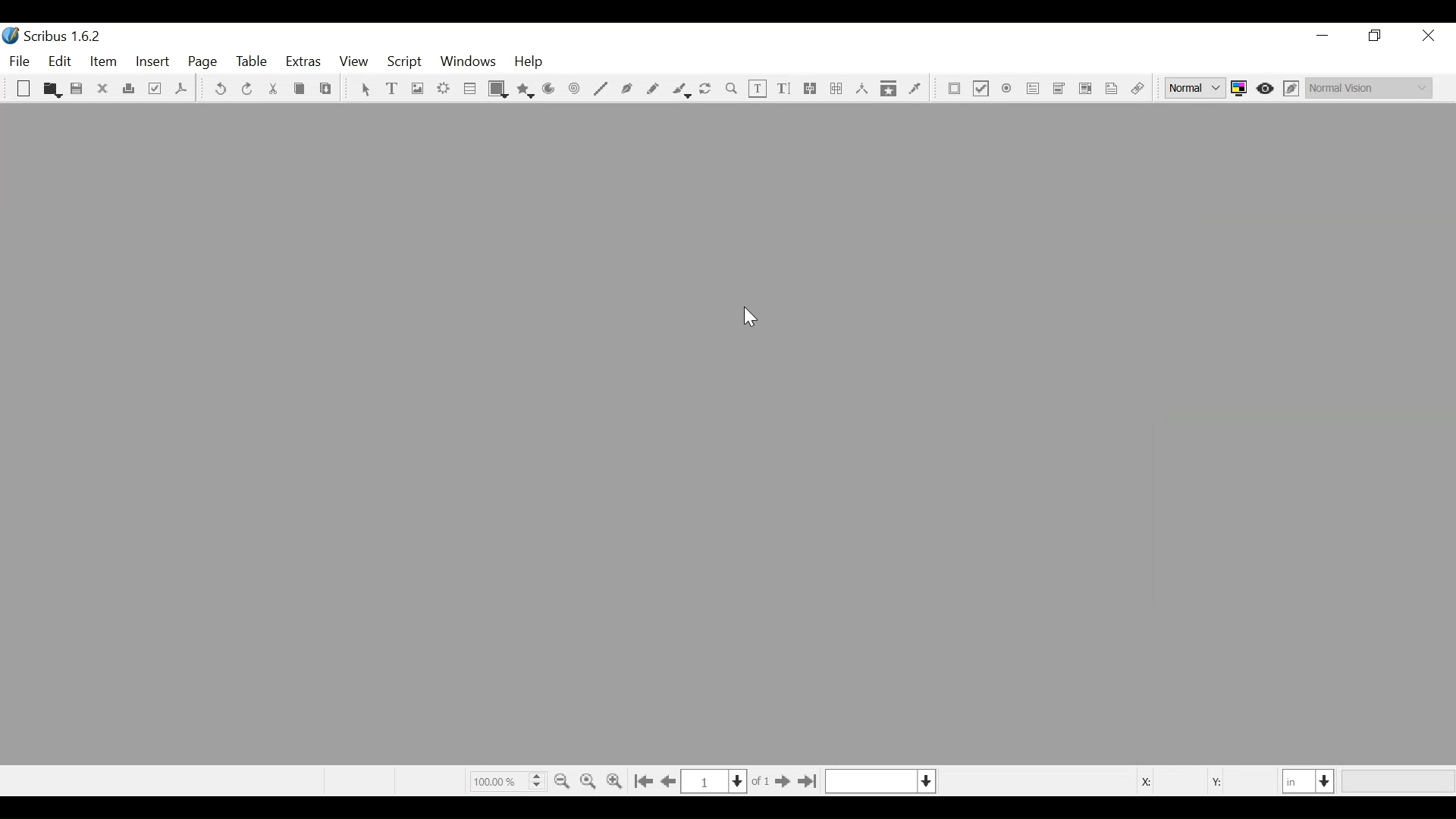  Describe the element at coordinates (526, 89) in the screenshot. I see `Polygon` at that location.